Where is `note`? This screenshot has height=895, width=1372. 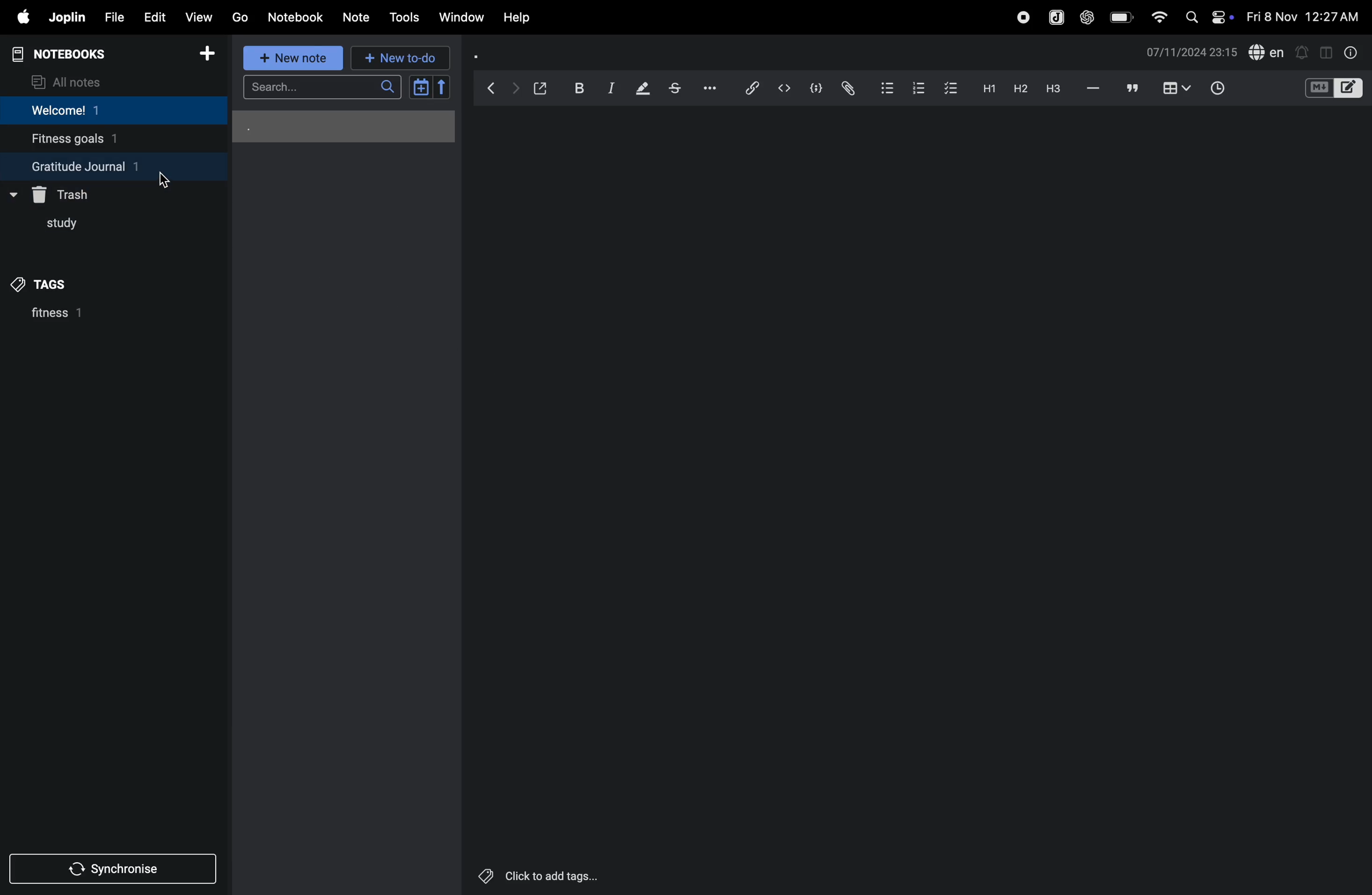
note is located at coordinates (353, 17).